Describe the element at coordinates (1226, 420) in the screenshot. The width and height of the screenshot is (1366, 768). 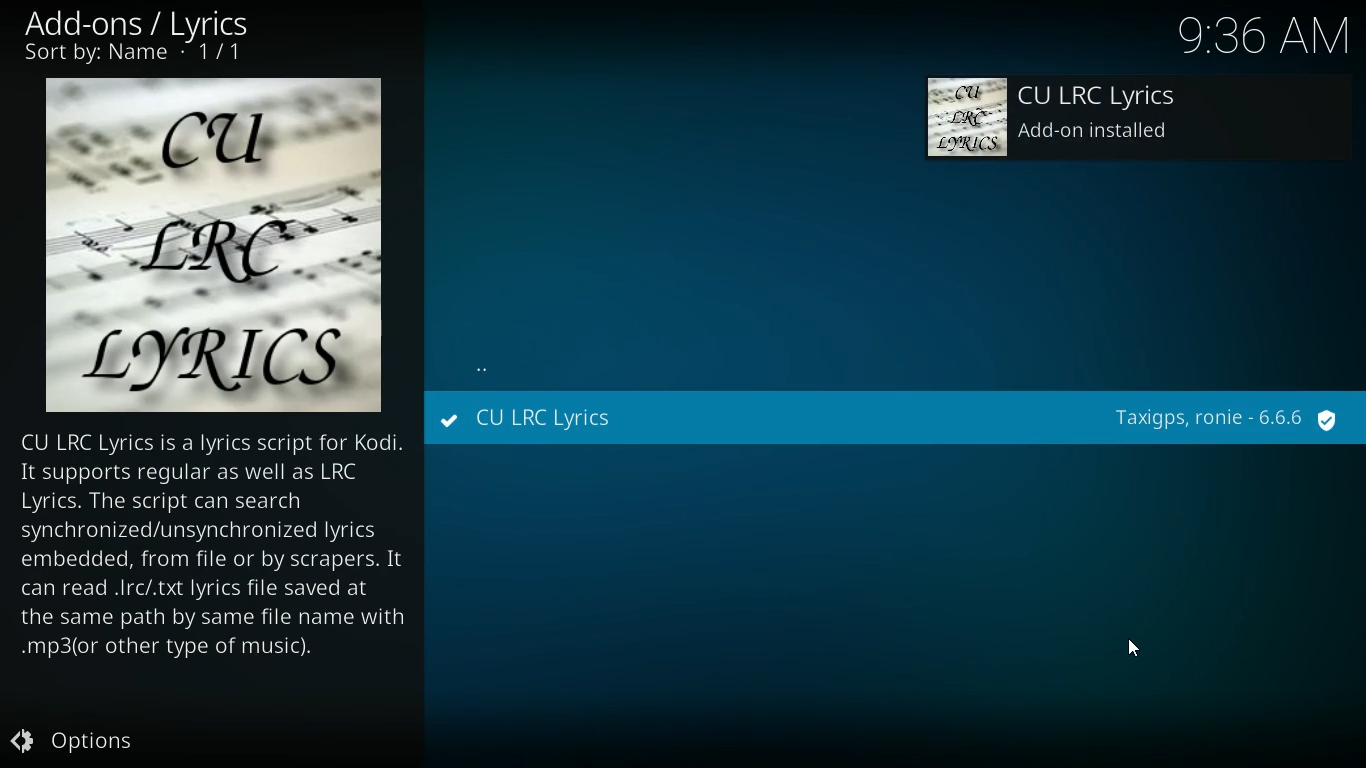
I see `provider` at that location.